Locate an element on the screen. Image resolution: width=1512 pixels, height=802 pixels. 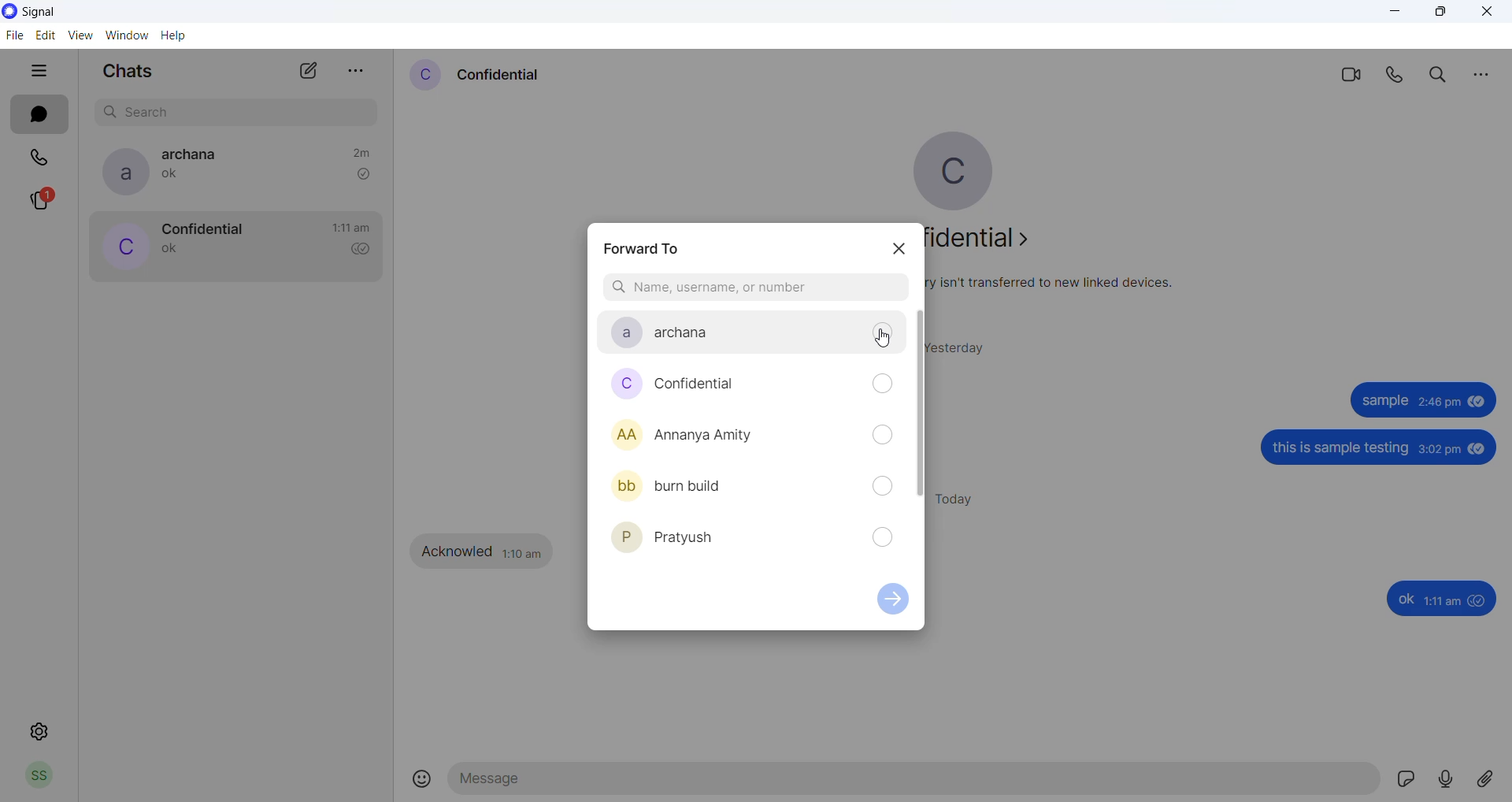
voice note is located at coordinates (1449, 779).